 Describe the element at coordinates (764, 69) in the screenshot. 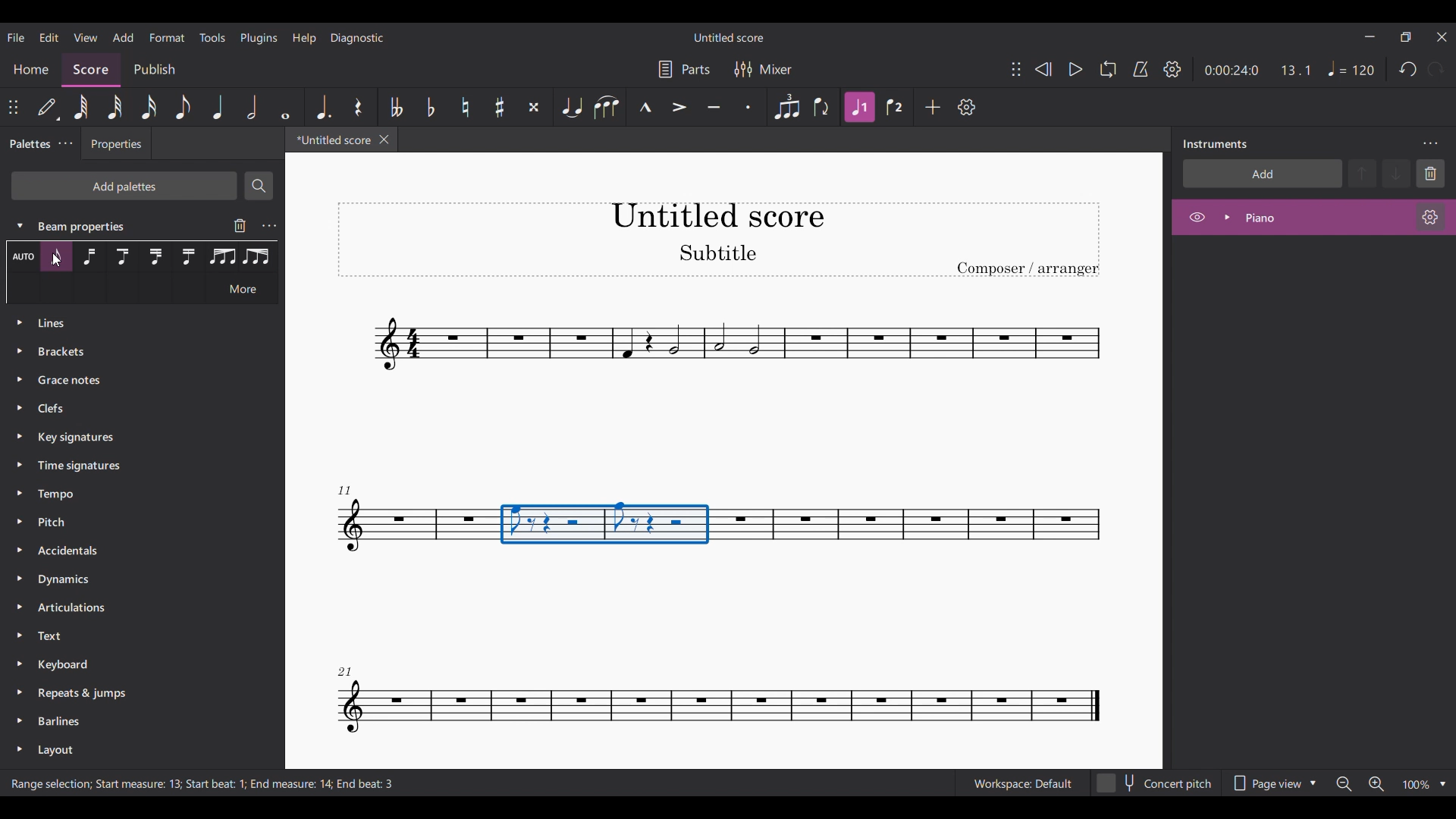

I see `Mixer settings` at that location.